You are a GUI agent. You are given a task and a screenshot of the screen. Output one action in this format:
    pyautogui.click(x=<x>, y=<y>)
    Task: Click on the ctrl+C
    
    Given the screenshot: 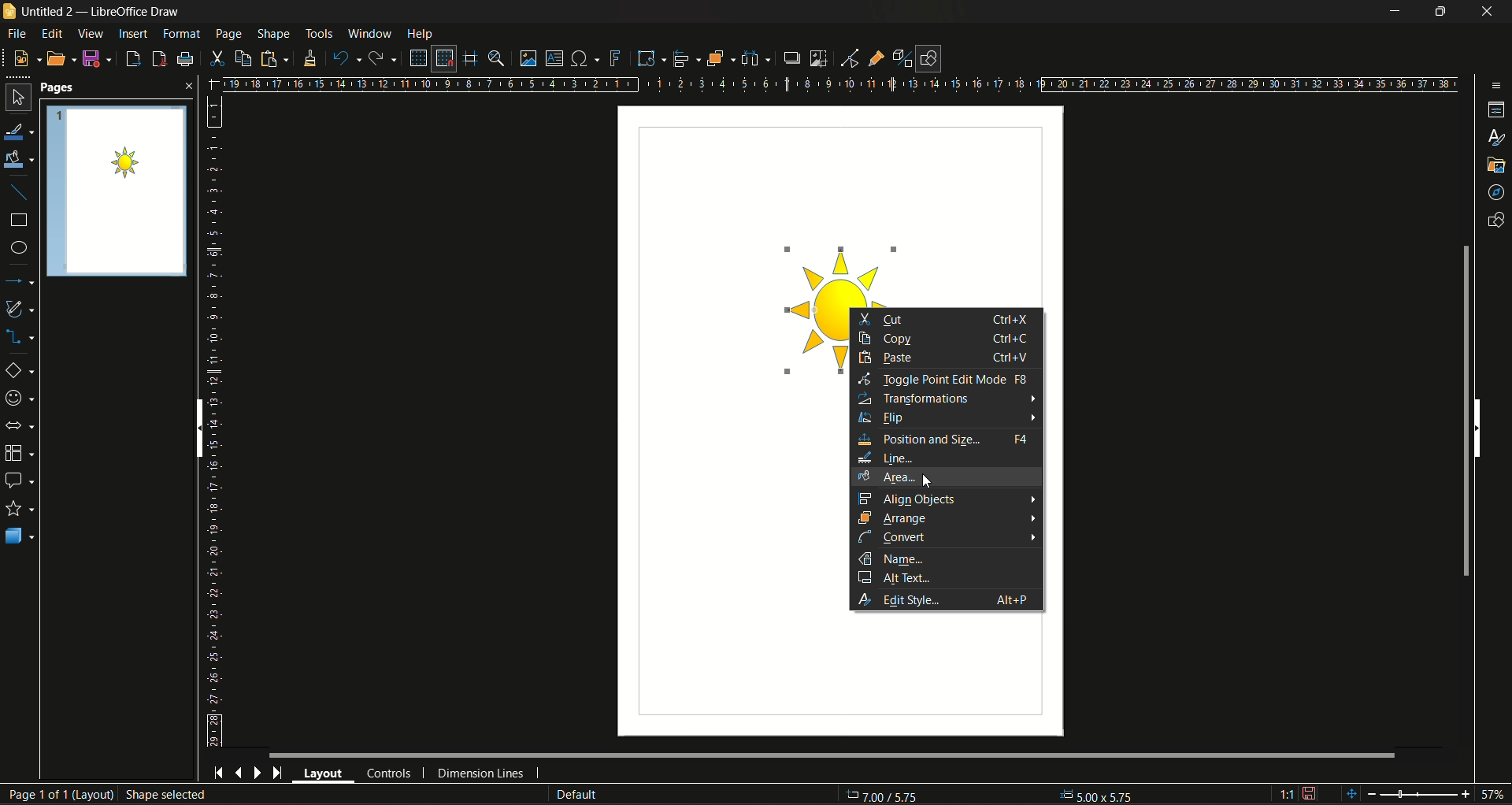 What is the action you would take?
    pyautogui.click(x=1014, y=339)
    